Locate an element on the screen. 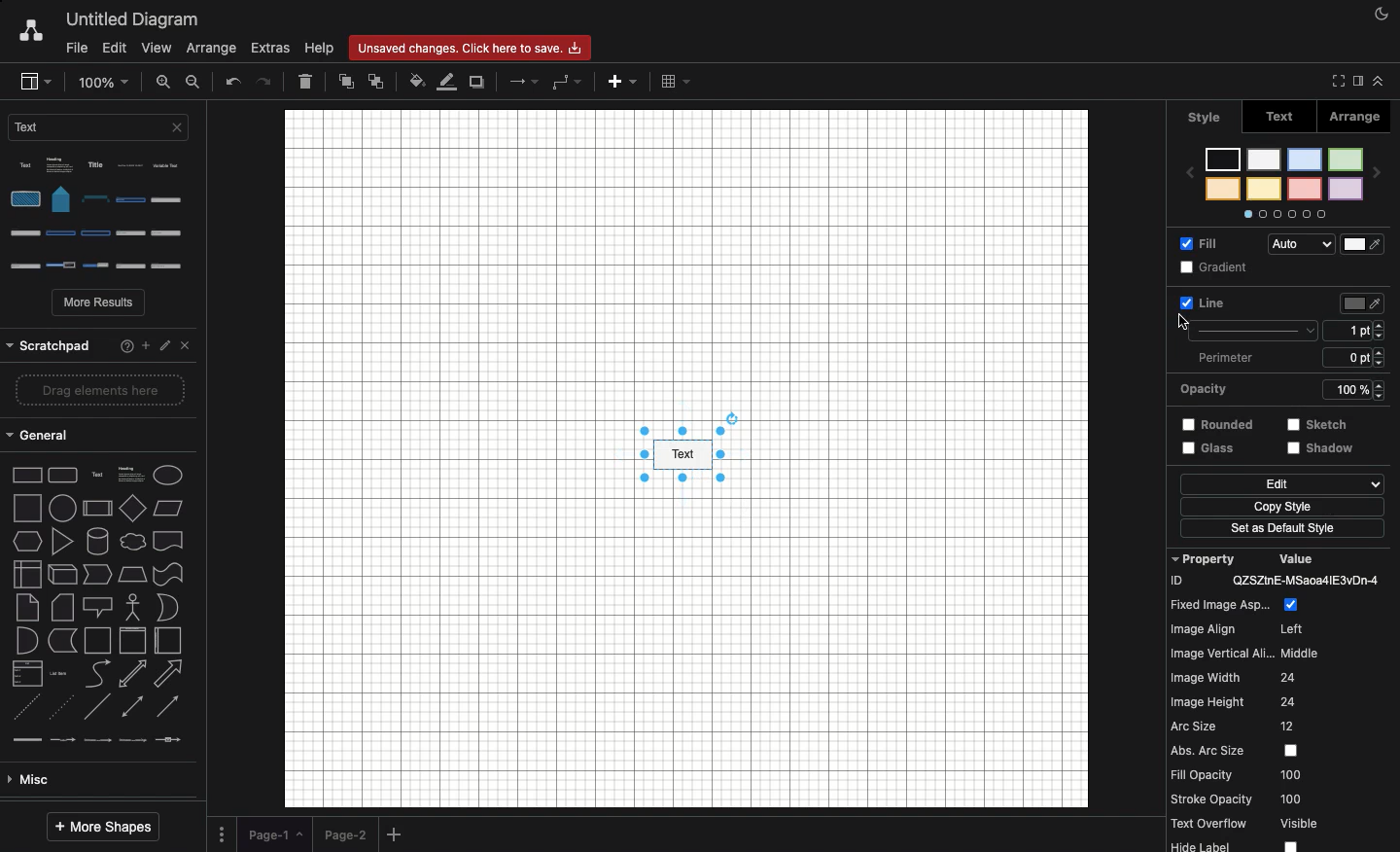 This screenshot has width=1400, height=852. Style selected is located at coordinates (684, 455).